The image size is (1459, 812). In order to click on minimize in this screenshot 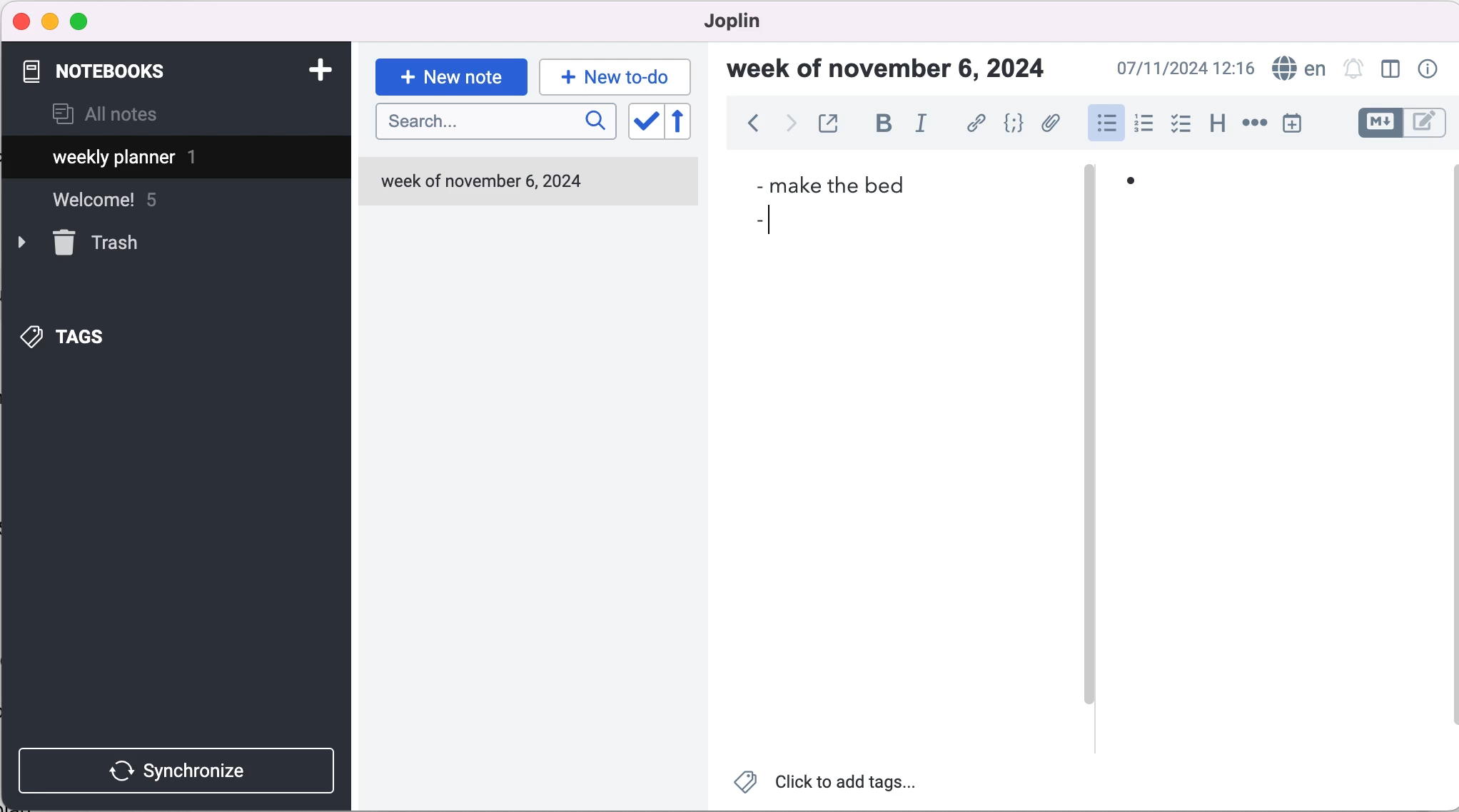, I will do `click(50, 21)`.